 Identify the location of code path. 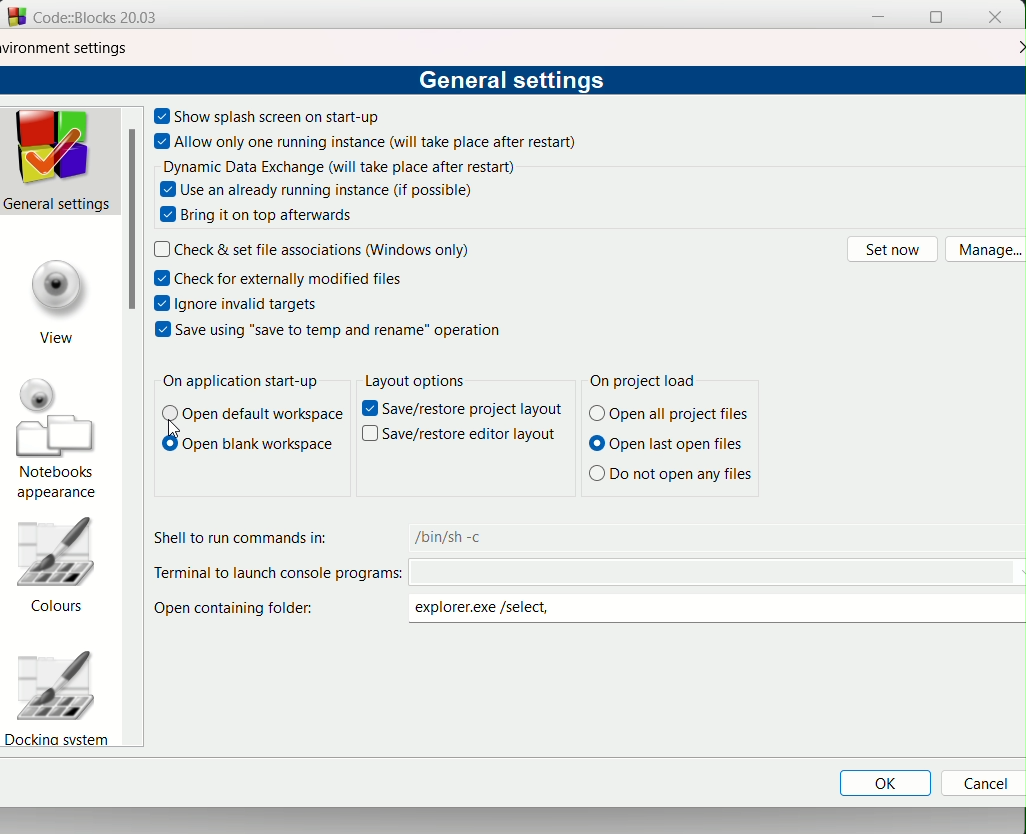
(717, 574).